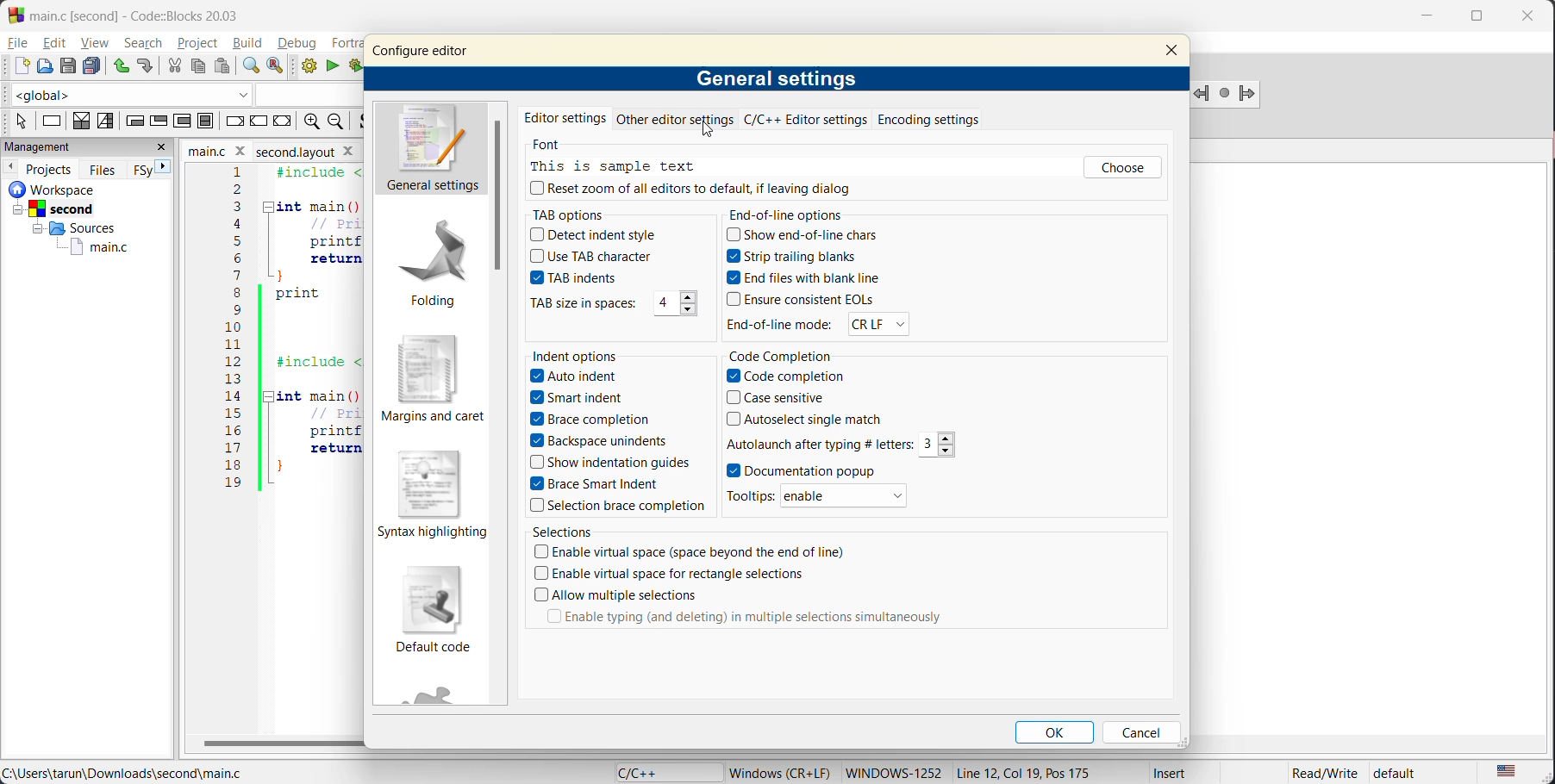 The height and width of the screenshot is (784, 1555). What do you see at coordinates (164, 167) in the screenshot?
I see `next` at bounding box center [164, 167].